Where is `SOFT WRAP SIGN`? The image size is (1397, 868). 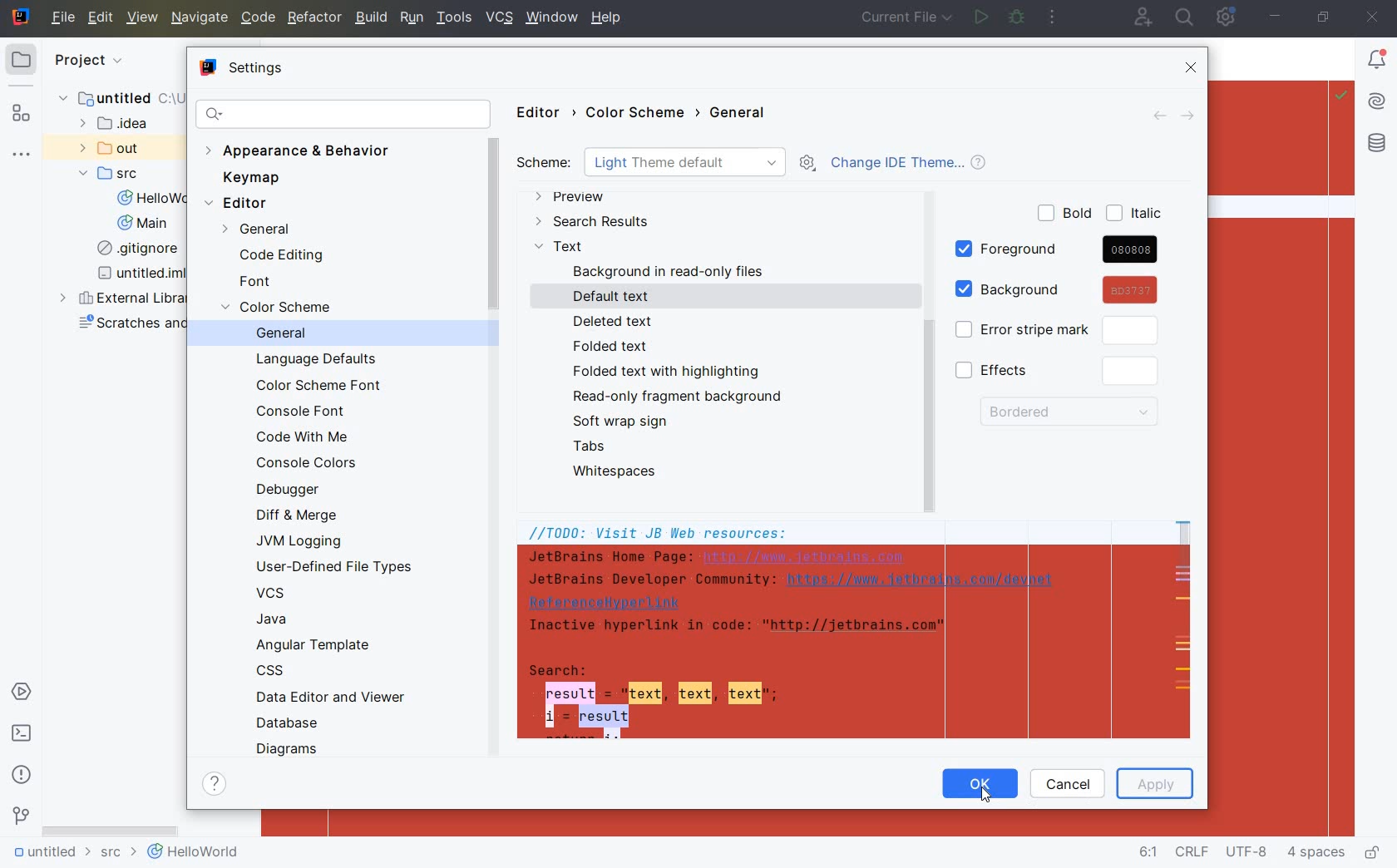 SOFT WRAP SIGN is located at coordinates (625, 422).